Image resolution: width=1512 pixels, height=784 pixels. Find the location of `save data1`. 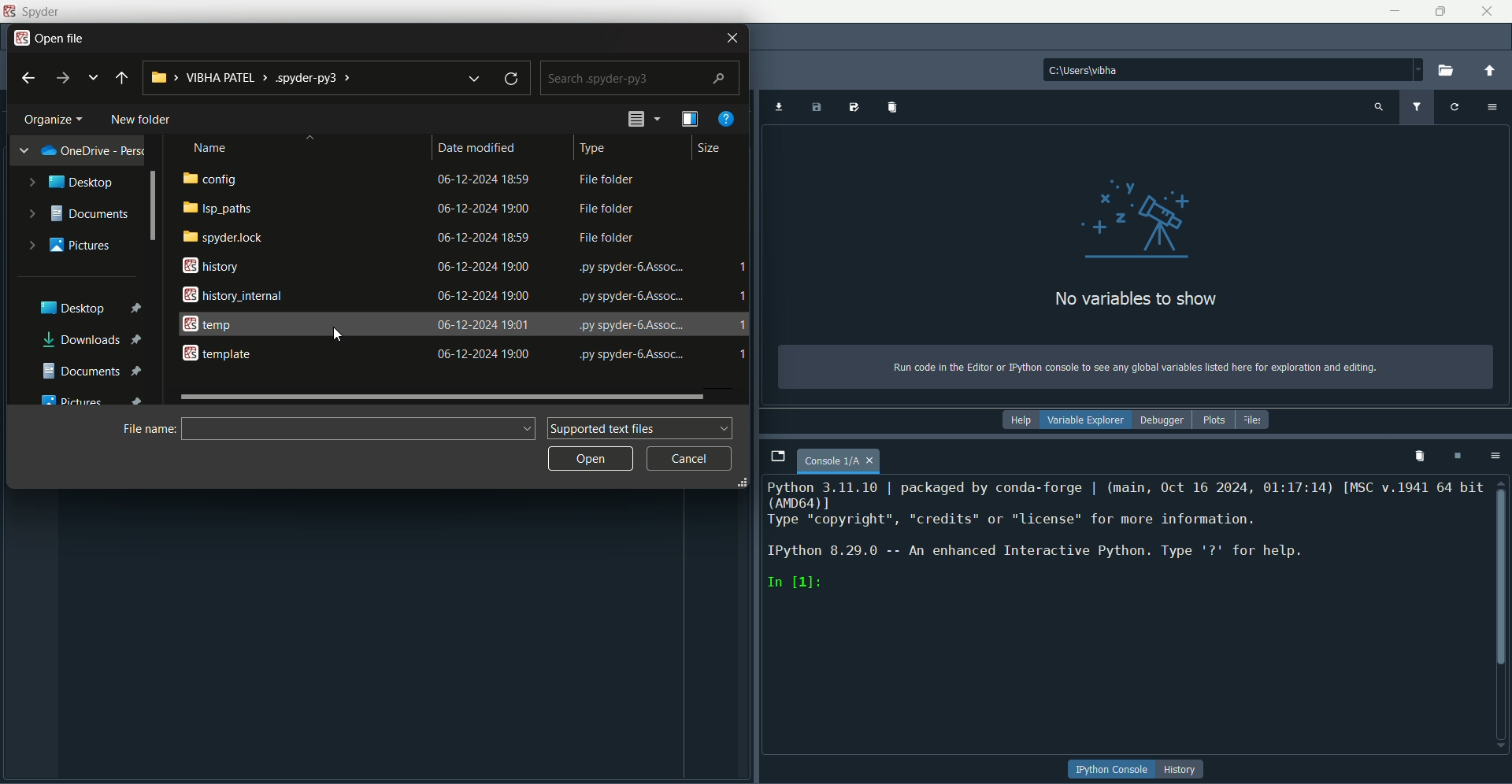

save data1 is located at coordinates (739, 294).